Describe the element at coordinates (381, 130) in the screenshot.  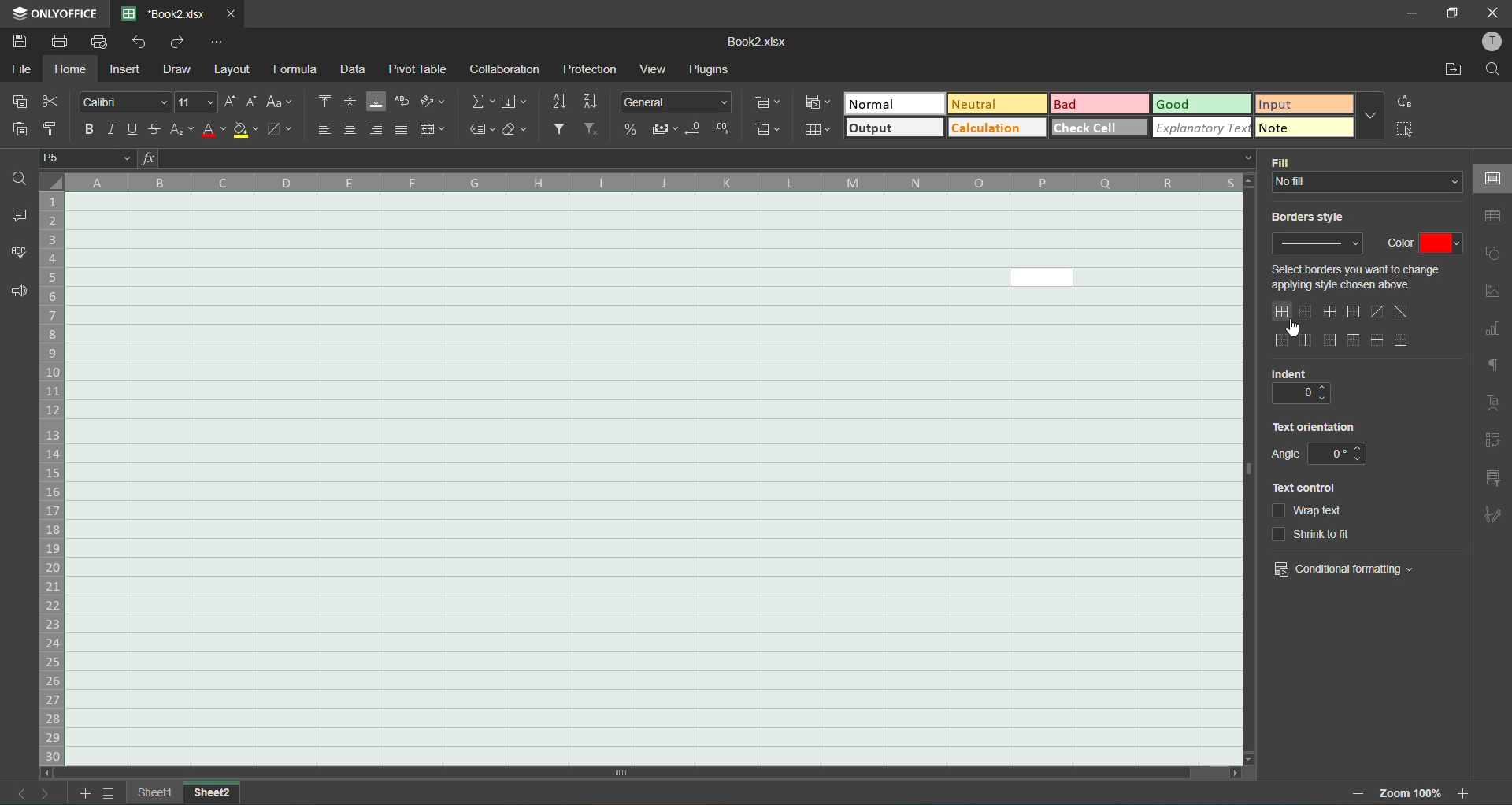
I see `align right` at that location.